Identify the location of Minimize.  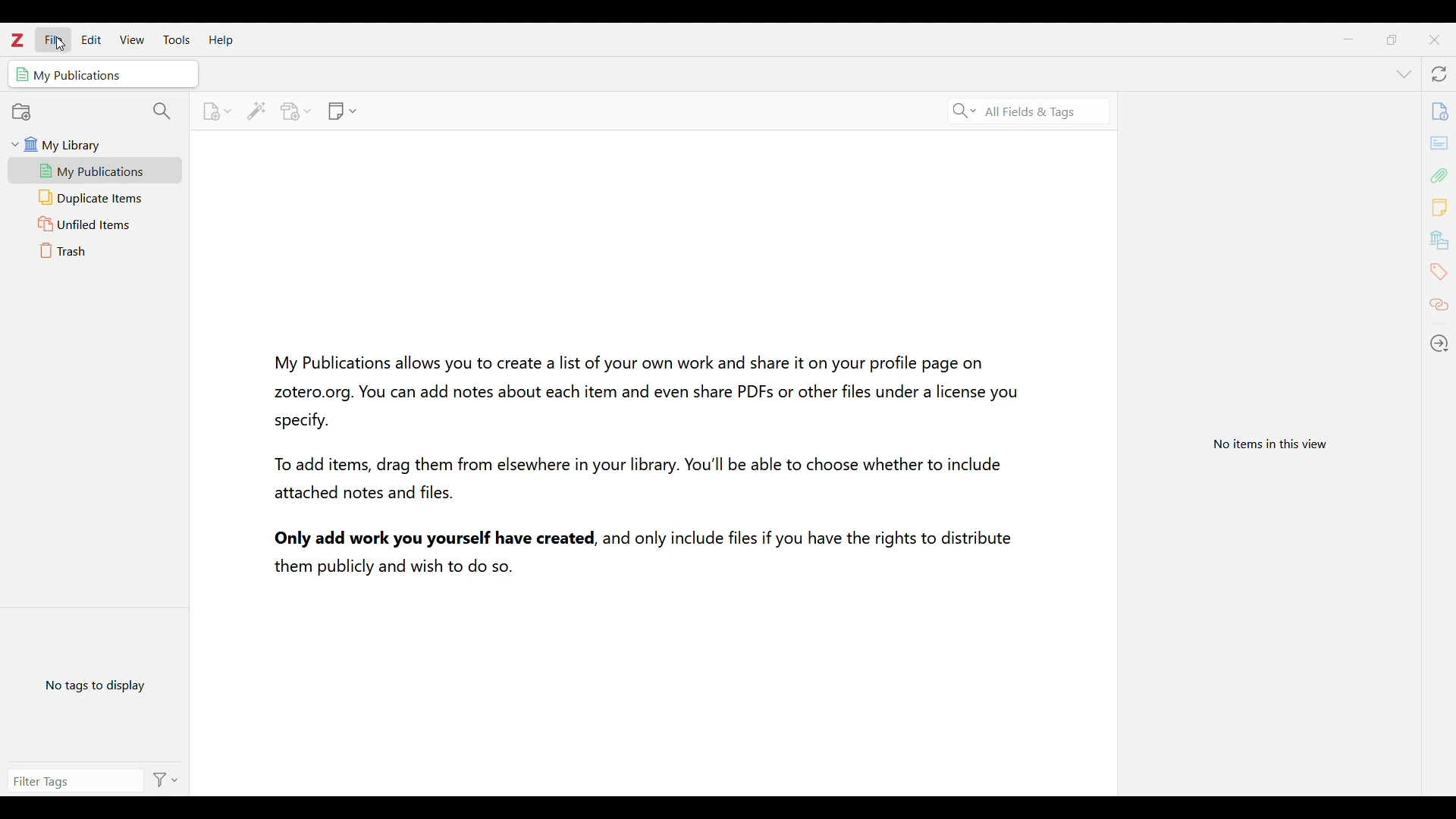
(1348, 39).